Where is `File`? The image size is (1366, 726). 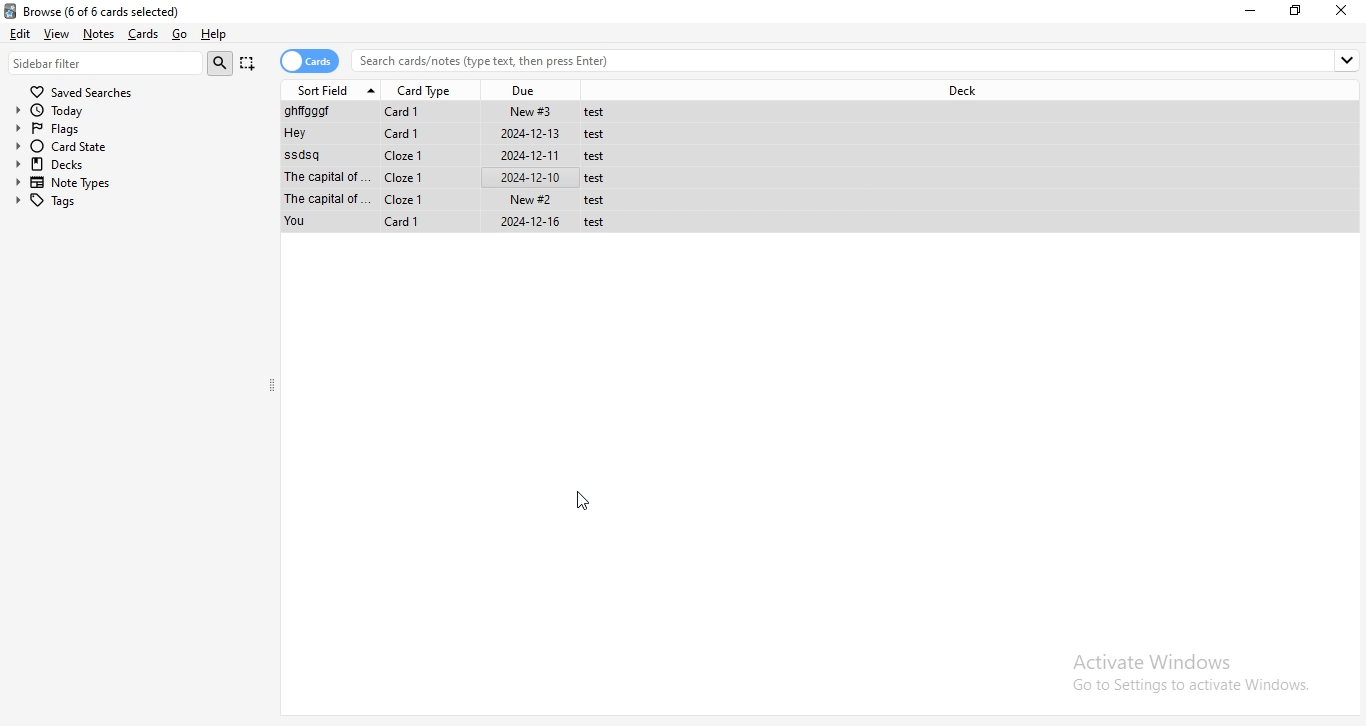 File is located at coordinates (455, 135).